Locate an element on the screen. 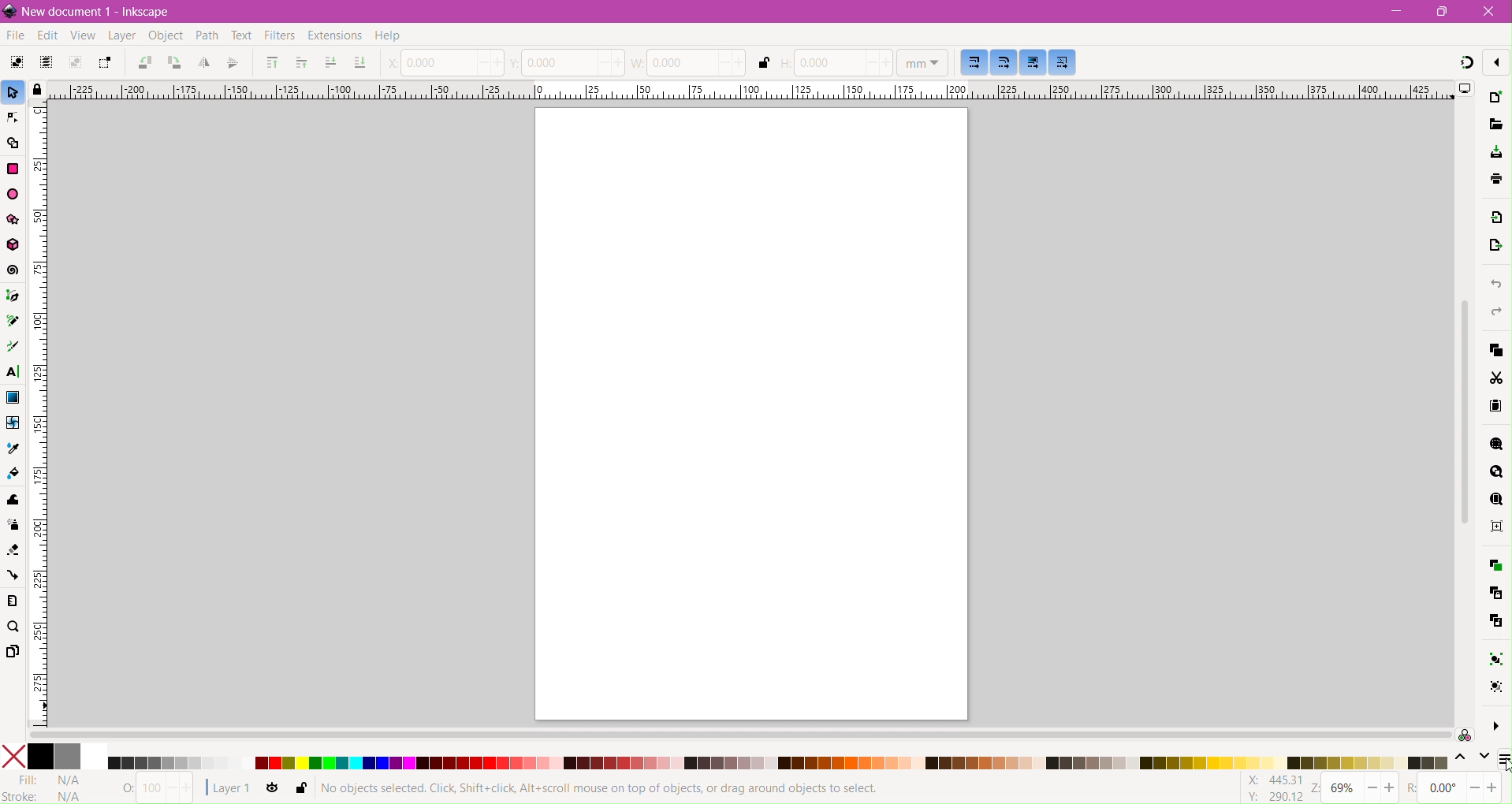 This screenshot has height=804, width=1512. Object Flip Horizontal is located at coordinates (203, 65).